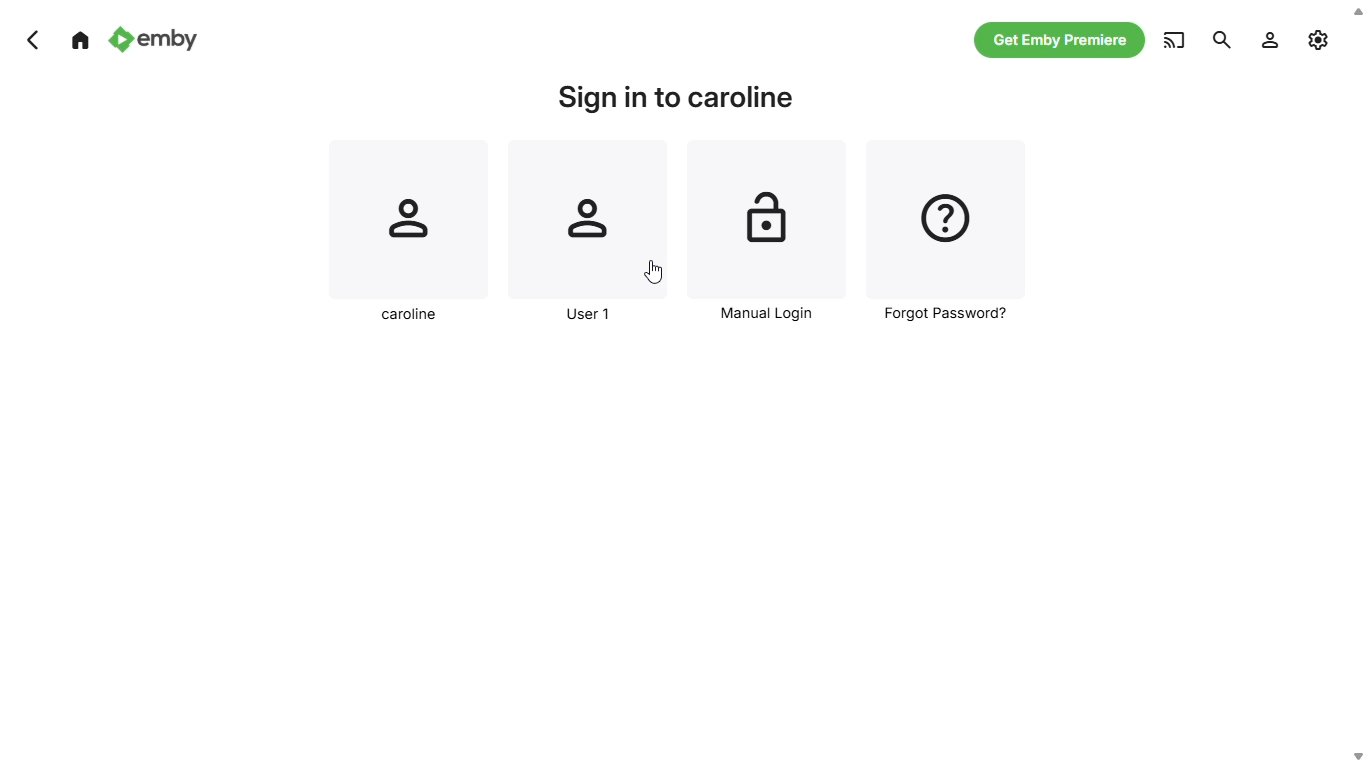 This screenshot has height=768, width=1366. What do you see at coordinates (152, 38) in the screenshot?
I see `emby` at bounding box center [152, 38].